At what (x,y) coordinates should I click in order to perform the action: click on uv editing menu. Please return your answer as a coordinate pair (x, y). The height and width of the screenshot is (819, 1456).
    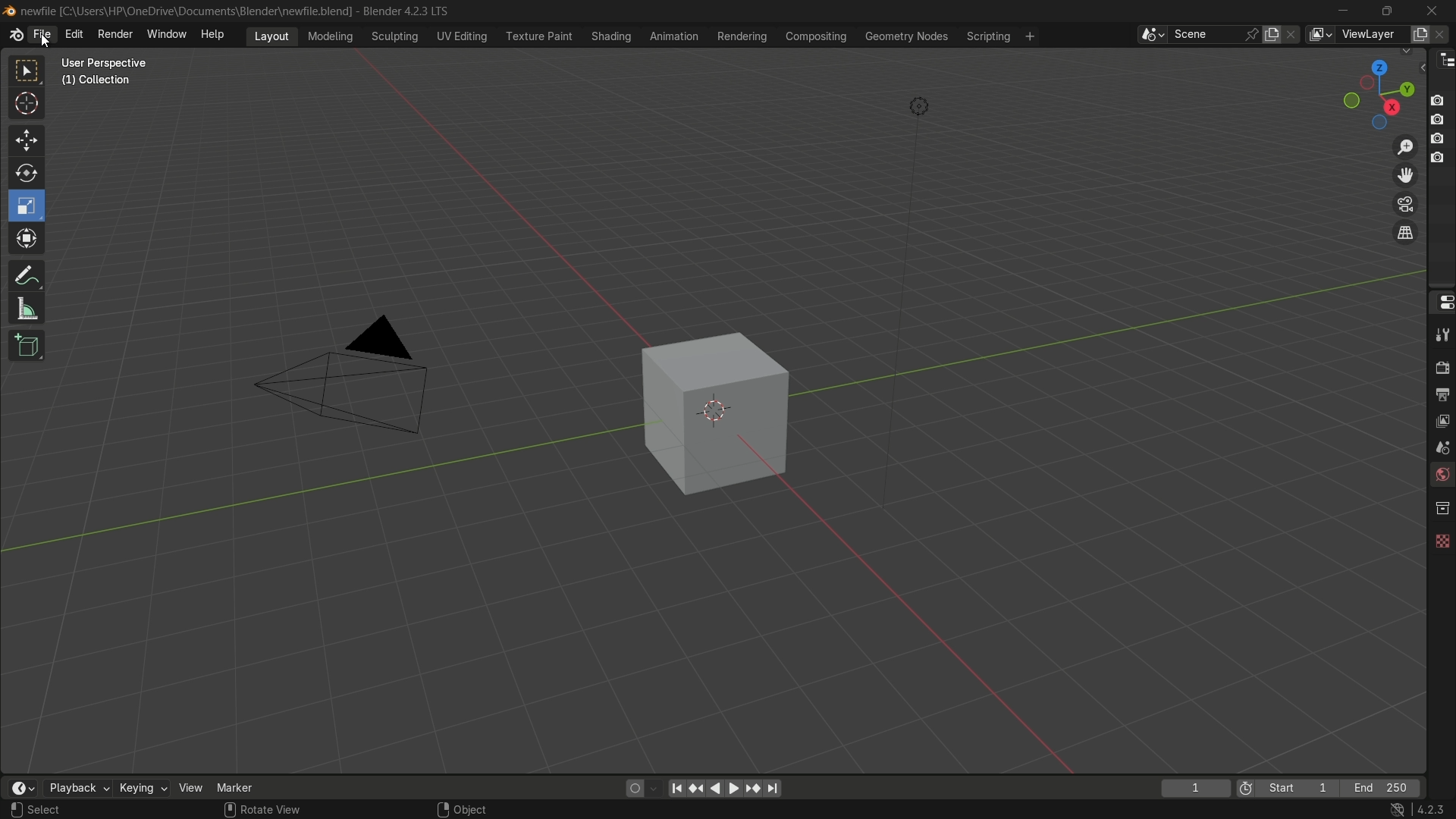
    Looking at the image, I should click on (462, 36).